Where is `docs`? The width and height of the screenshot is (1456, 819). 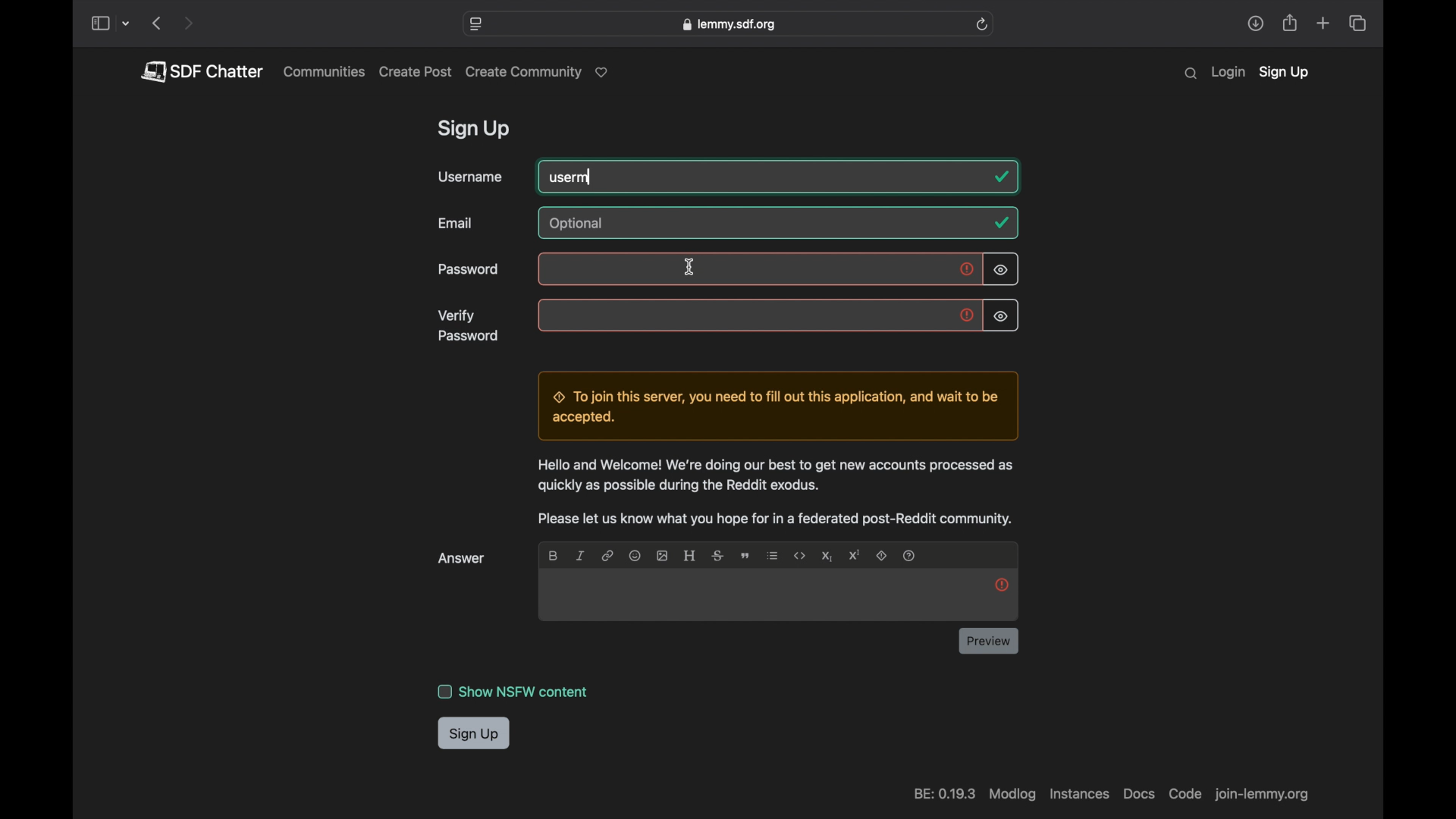 docs is located at coordinates (1138, 794).